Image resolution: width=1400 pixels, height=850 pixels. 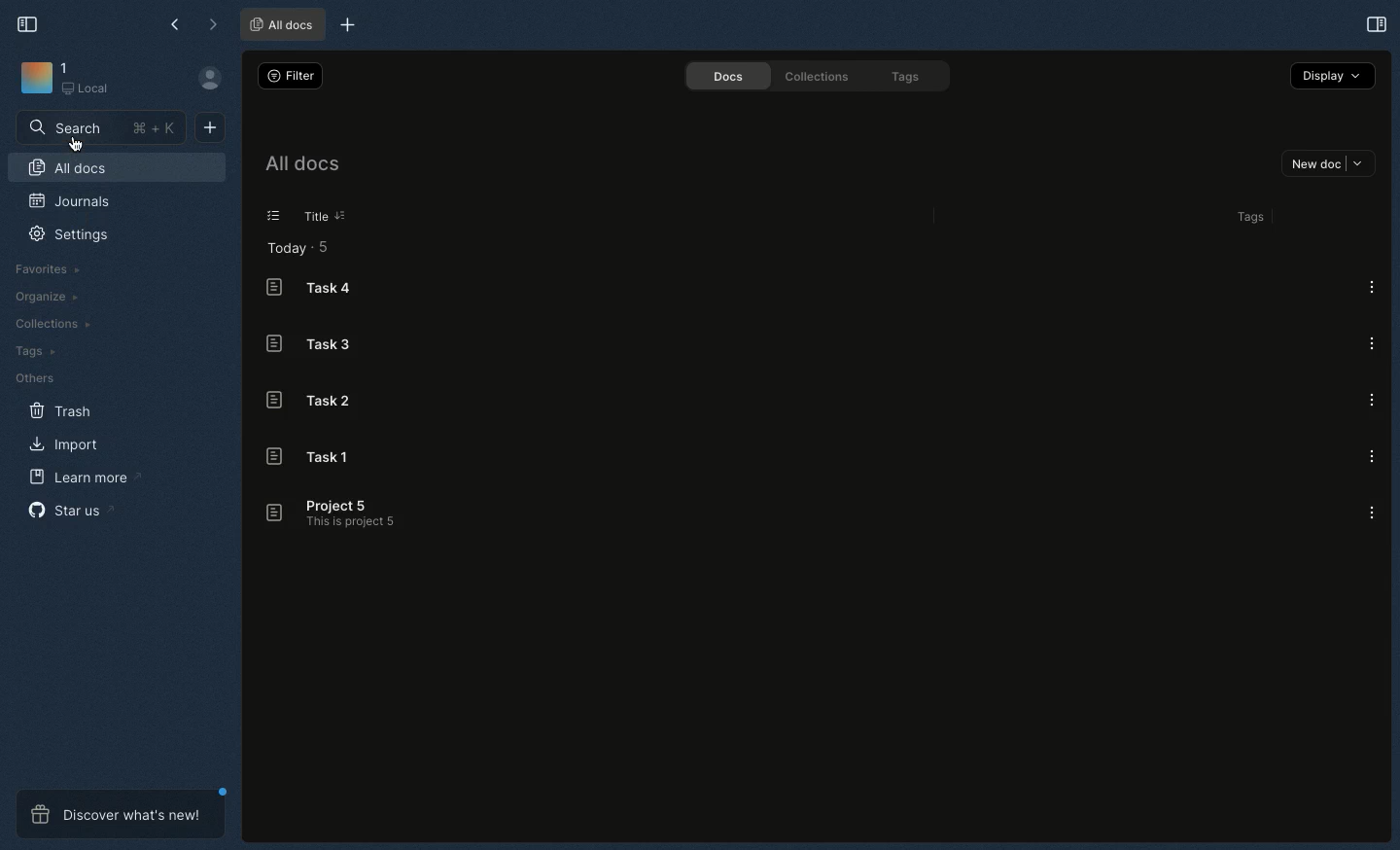 I want to click on New doc, so click(x=1325, y=164).